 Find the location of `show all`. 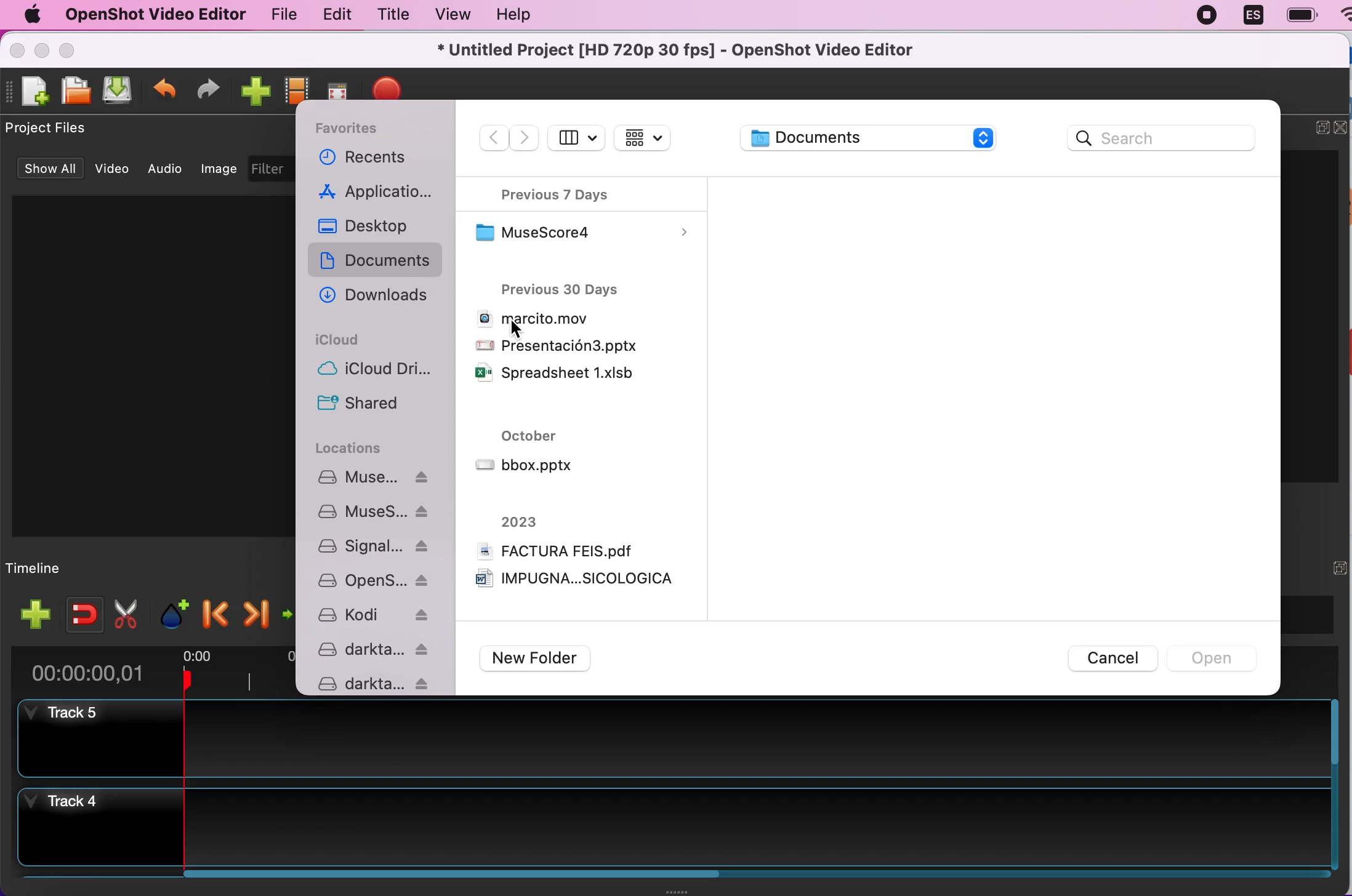

show all is located at coordinates (48, 169).